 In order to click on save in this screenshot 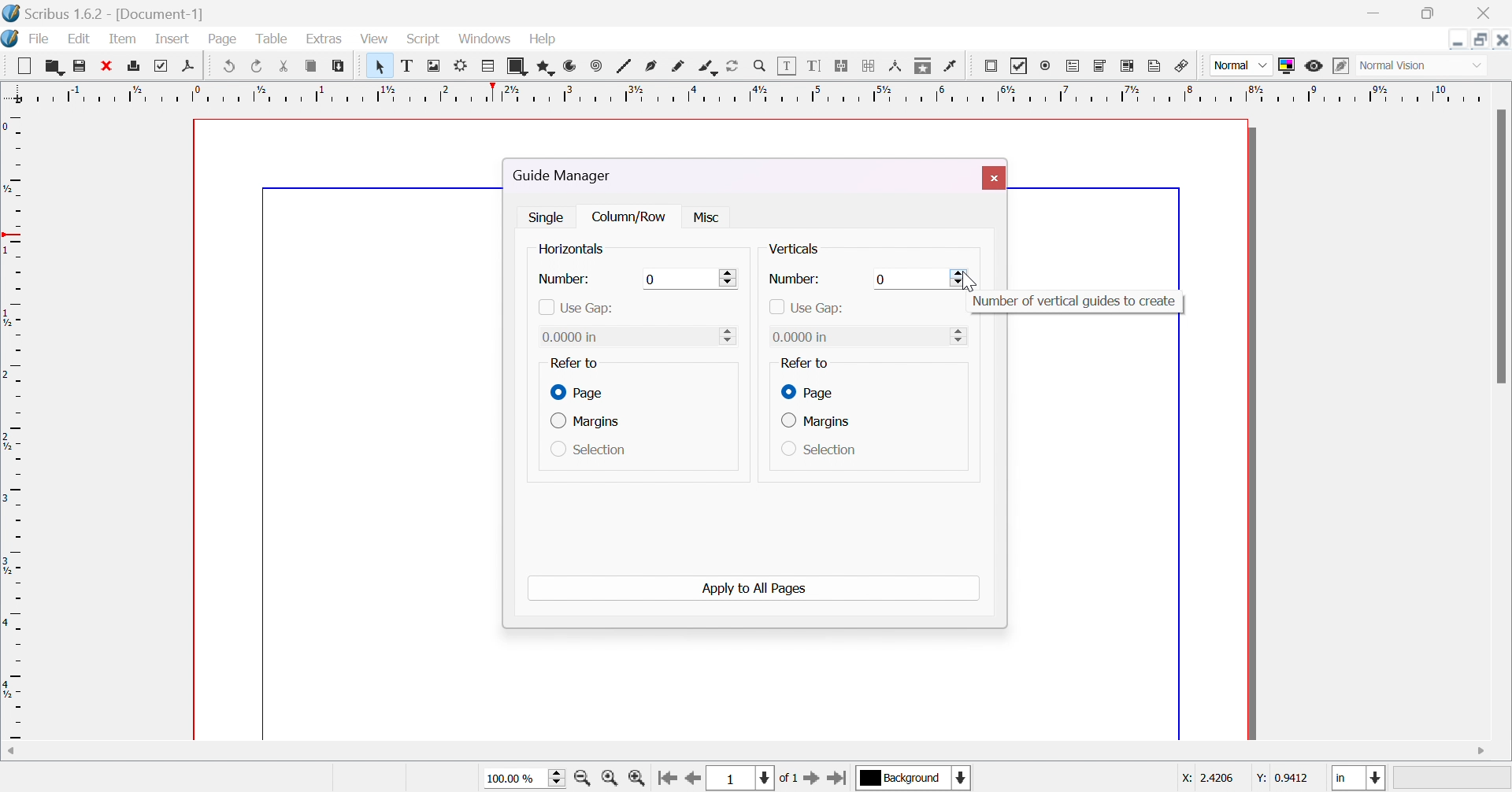, I will do `click(78, 67)`.